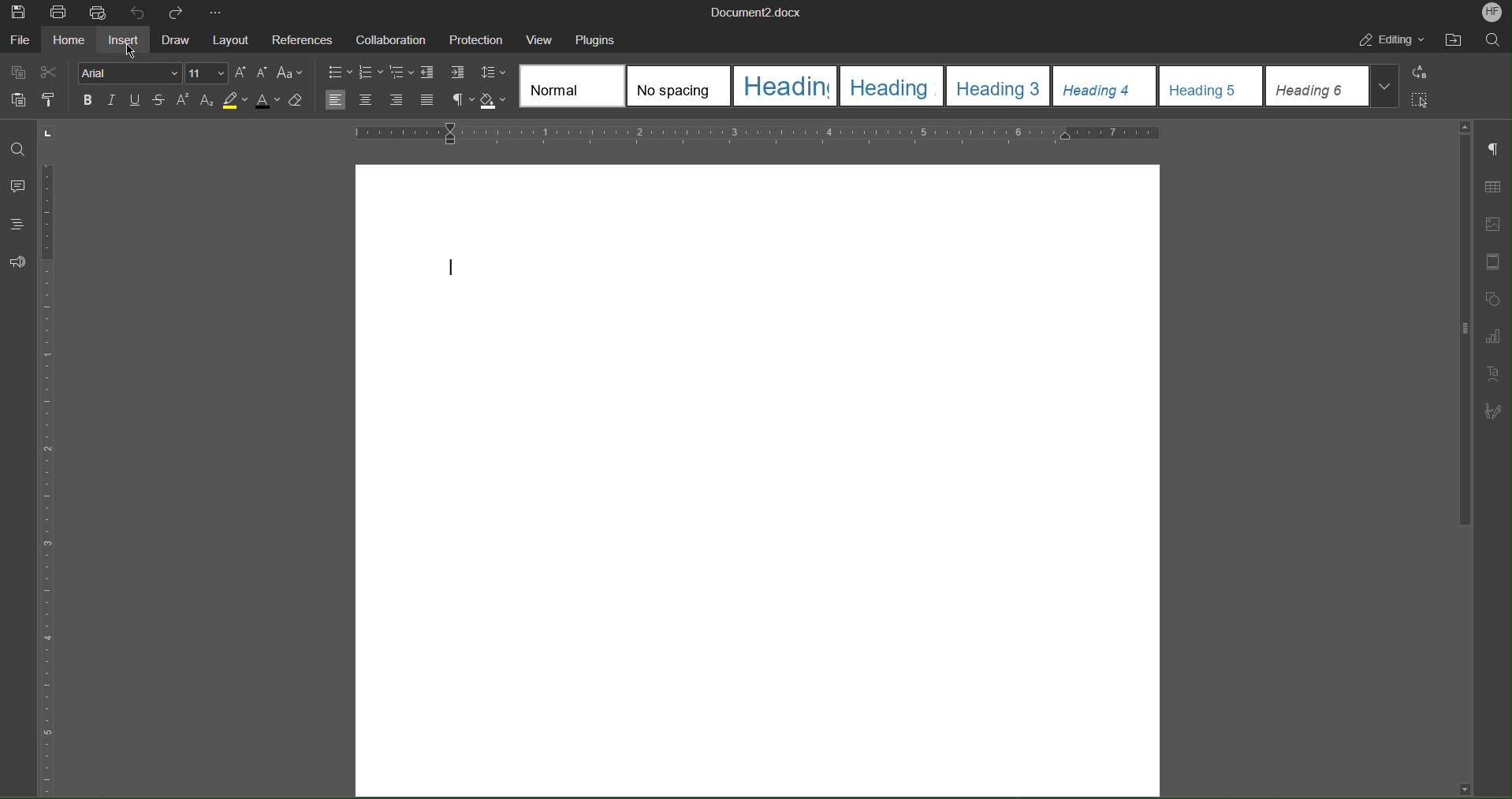 This screenshot has width=1512, height=799. I want to click on Increase Indent, so click(457, 72).